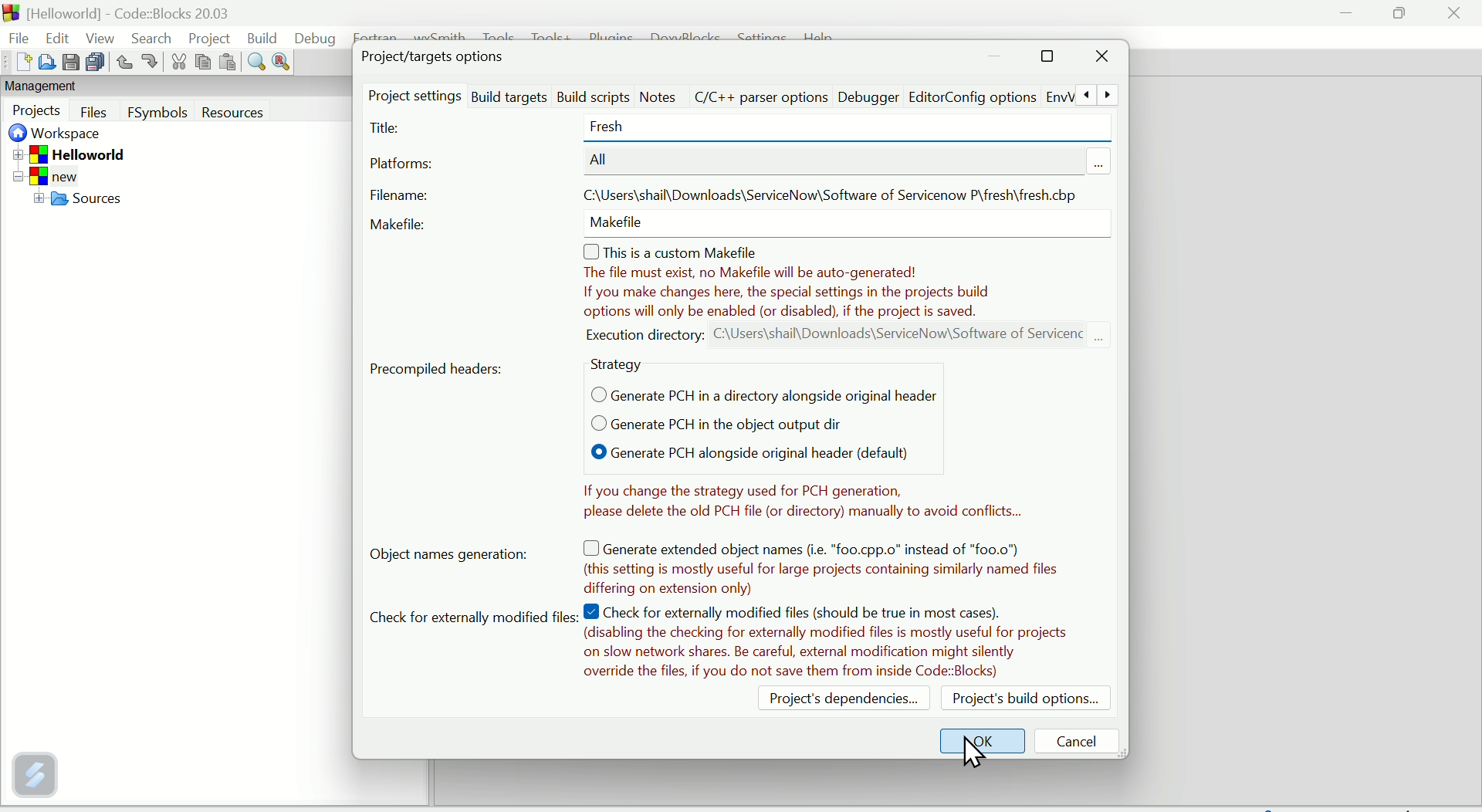 This screenshot has width=1482, height=812. Describe the element at coordinates (658, 97) in the screenshot. I see `Notes` at that location.